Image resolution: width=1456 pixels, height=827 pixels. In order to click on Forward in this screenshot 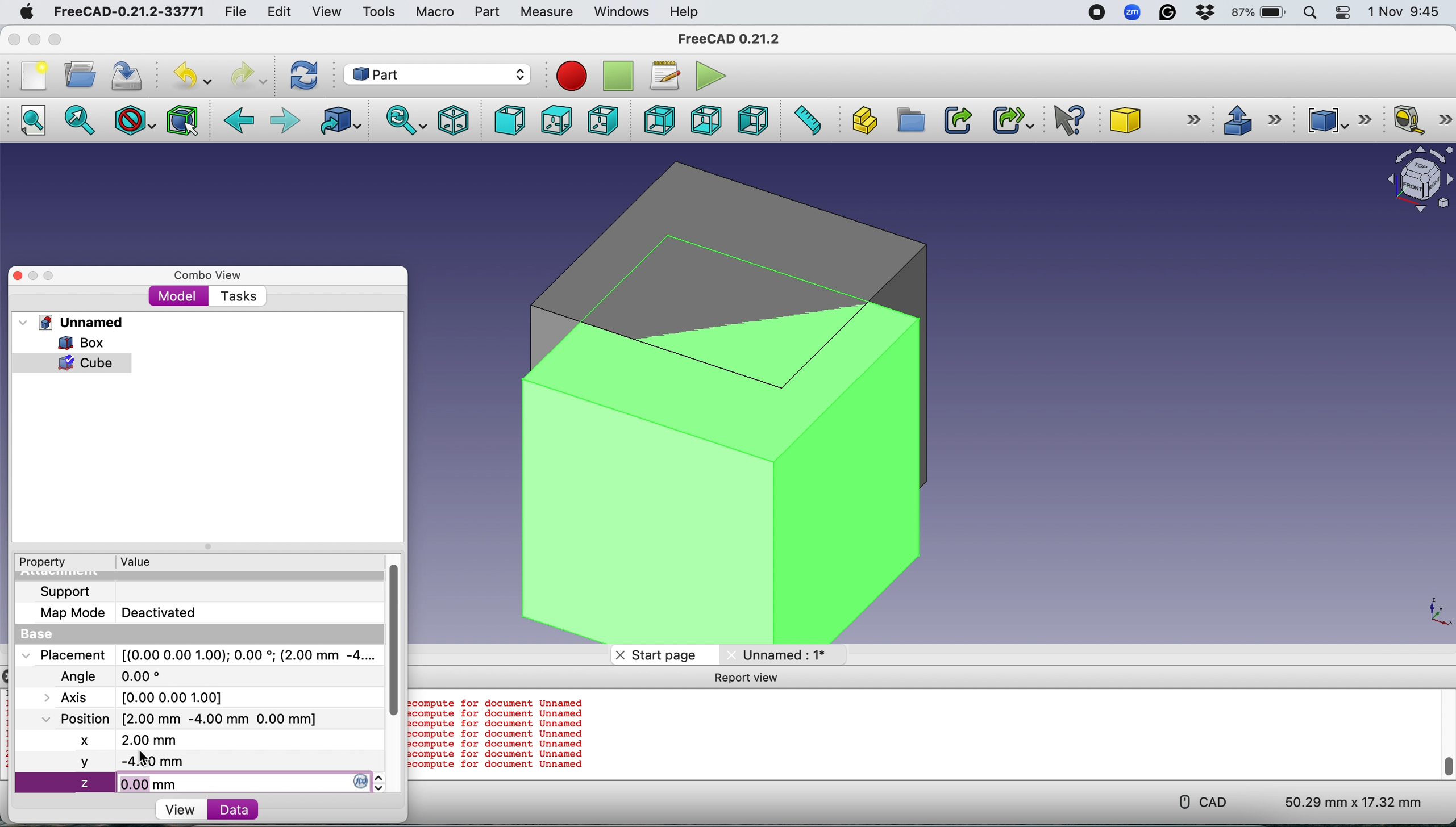, I will do `click(285, 122)`.